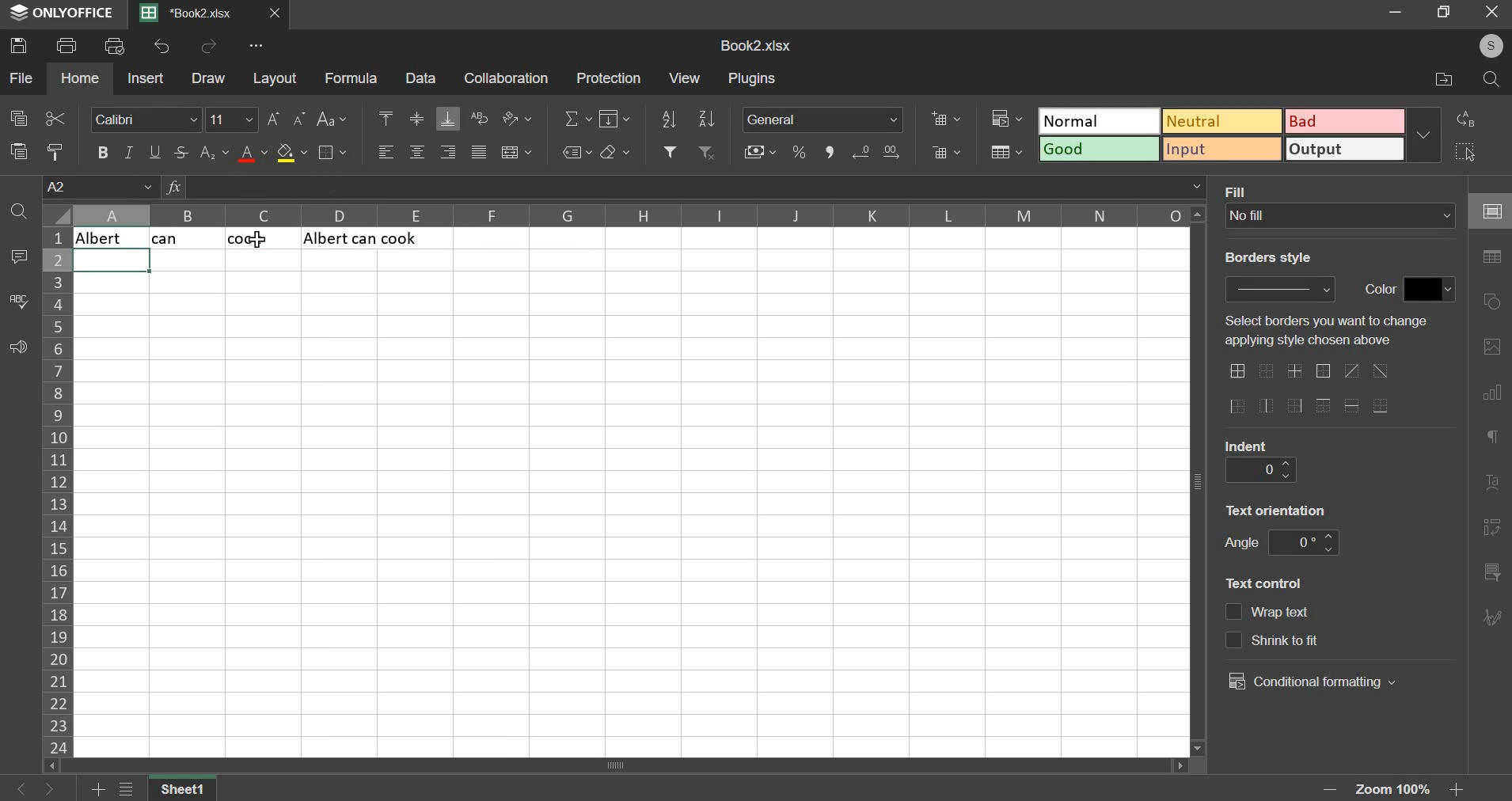 This screenshot has height=801, width=1512. Describe the element at coordinates (1264, 582) in the screenshot. I see `text` at that location.